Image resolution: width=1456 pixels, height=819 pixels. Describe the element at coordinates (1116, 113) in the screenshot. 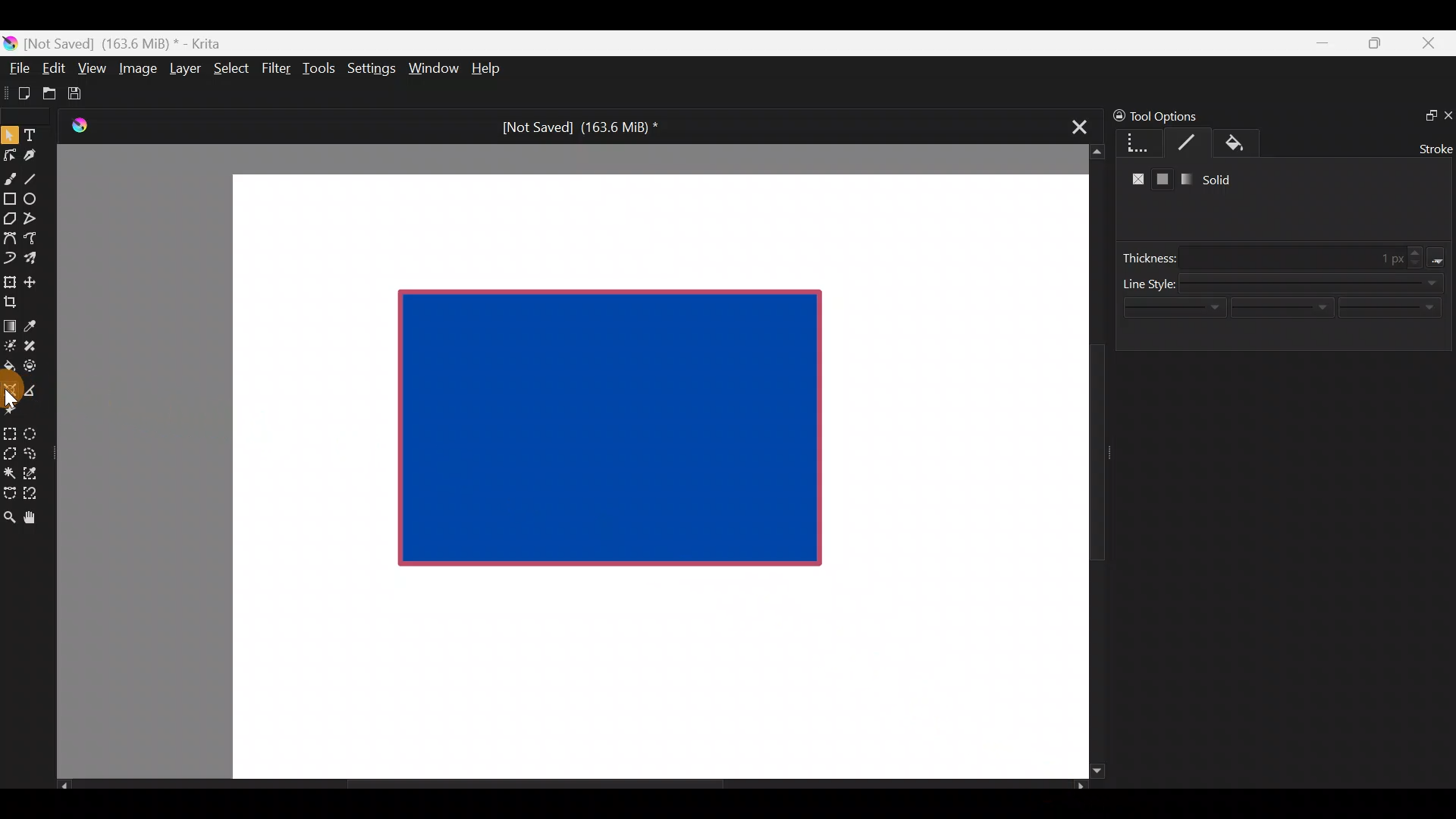

I see `Lock/unlock docker` at that location.